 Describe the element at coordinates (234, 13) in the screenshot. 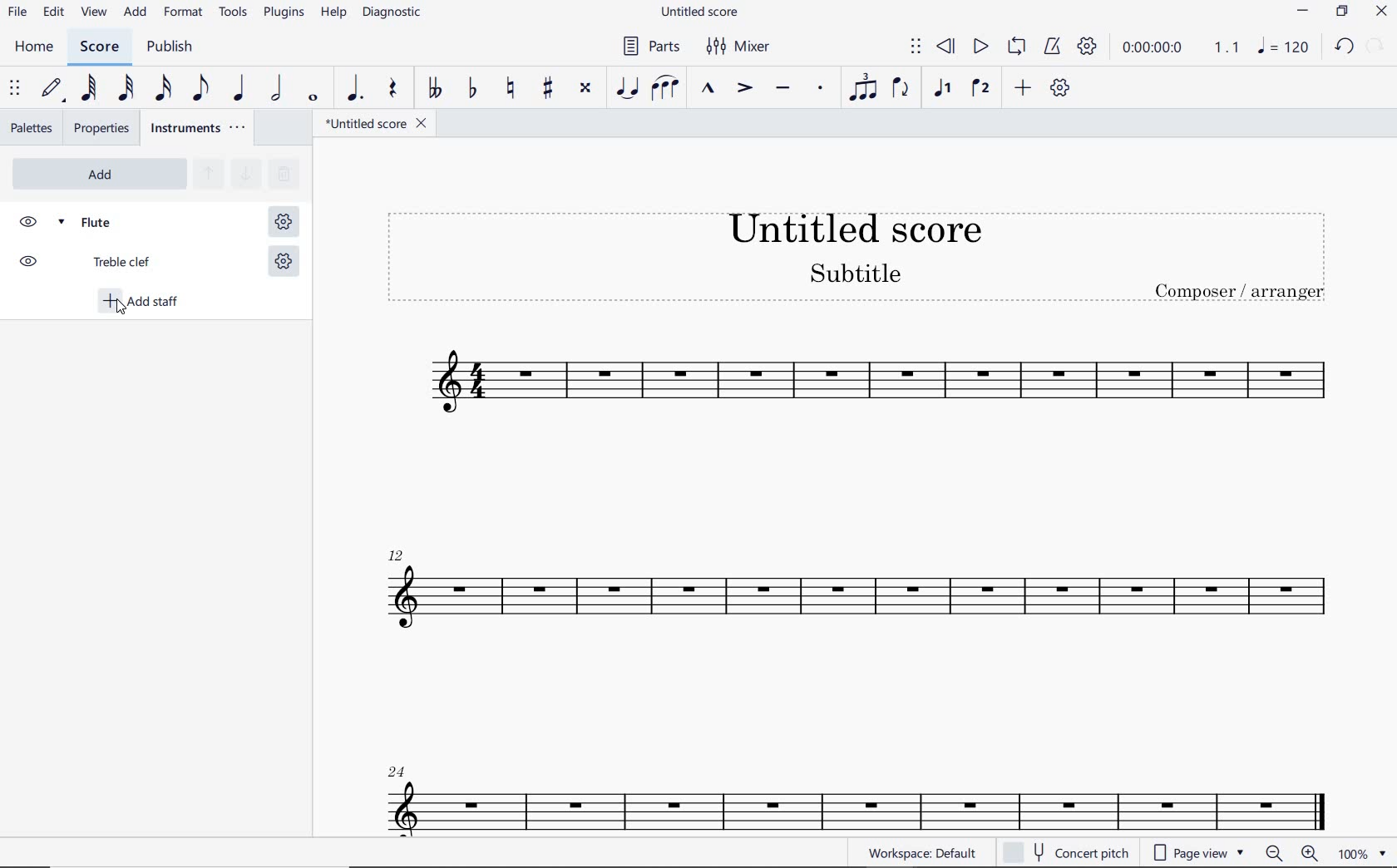

I see `TOOLS` at that location.